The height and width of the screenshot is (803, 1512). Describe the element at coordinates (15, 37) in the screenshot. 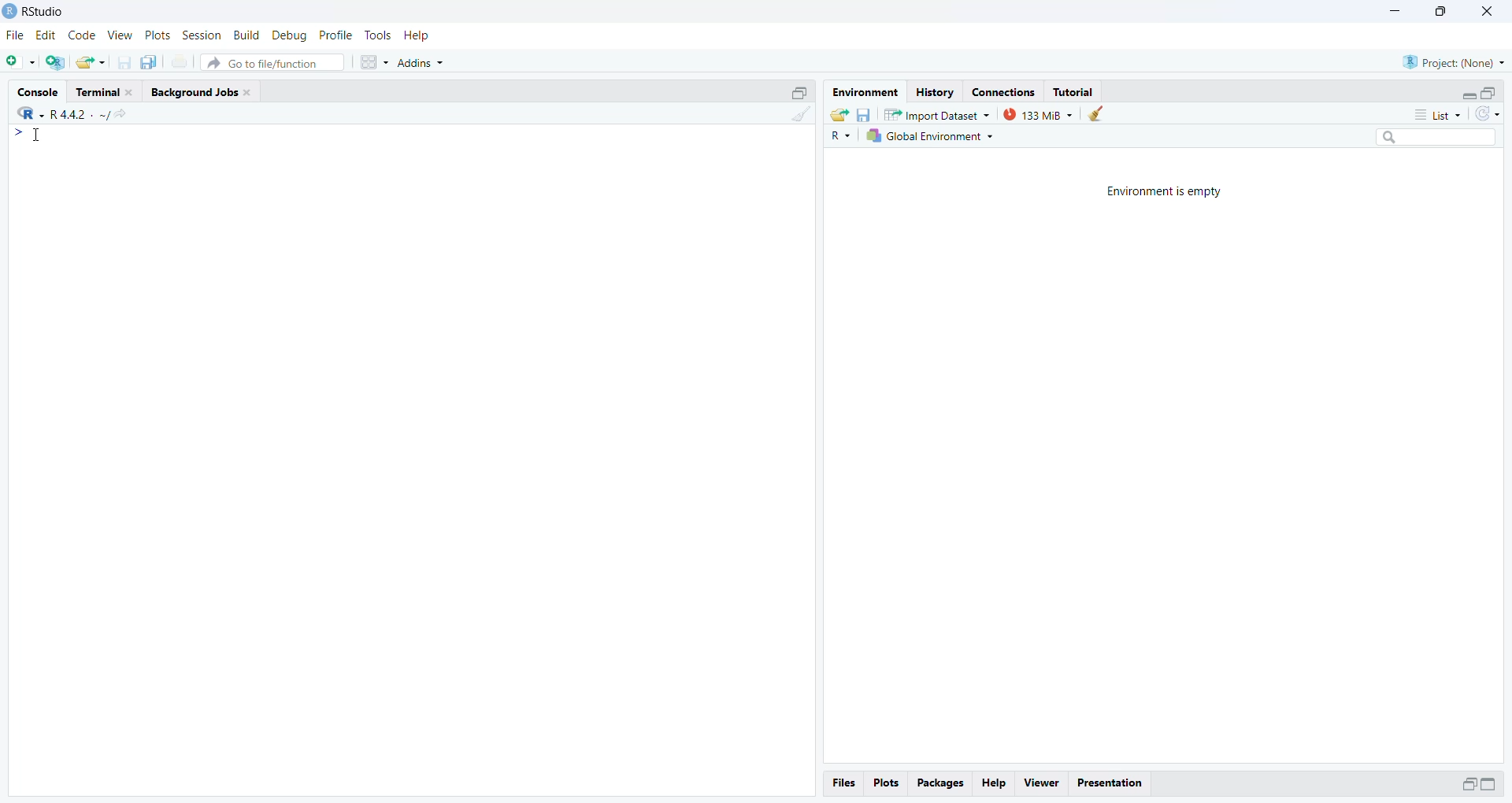

I see `File` at that location.